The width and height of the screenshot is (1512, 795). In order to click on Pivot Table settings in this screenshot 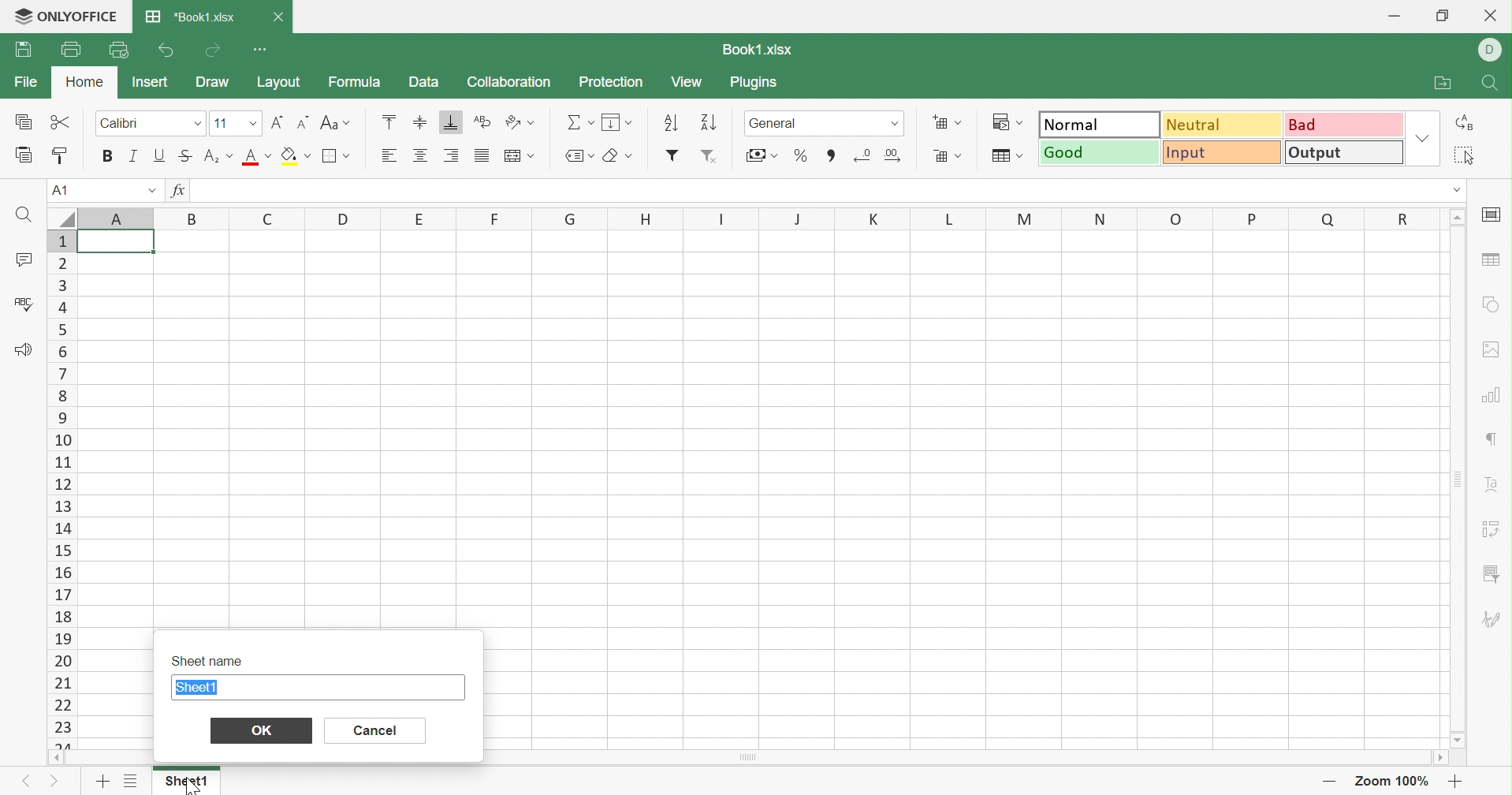, I will do `click(1492, 529)`.